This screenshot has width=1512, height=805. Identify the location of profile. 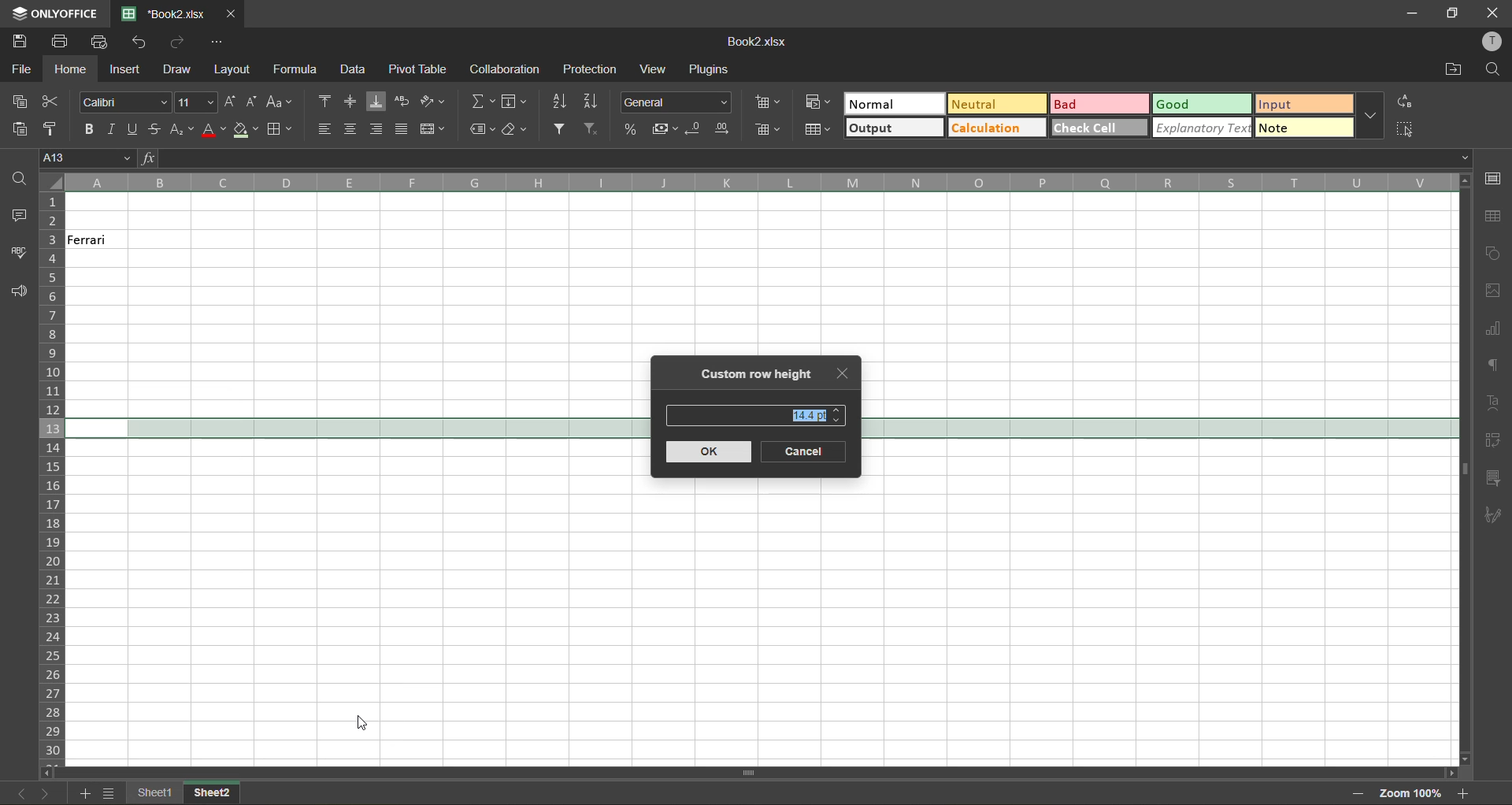
(1490, 42).